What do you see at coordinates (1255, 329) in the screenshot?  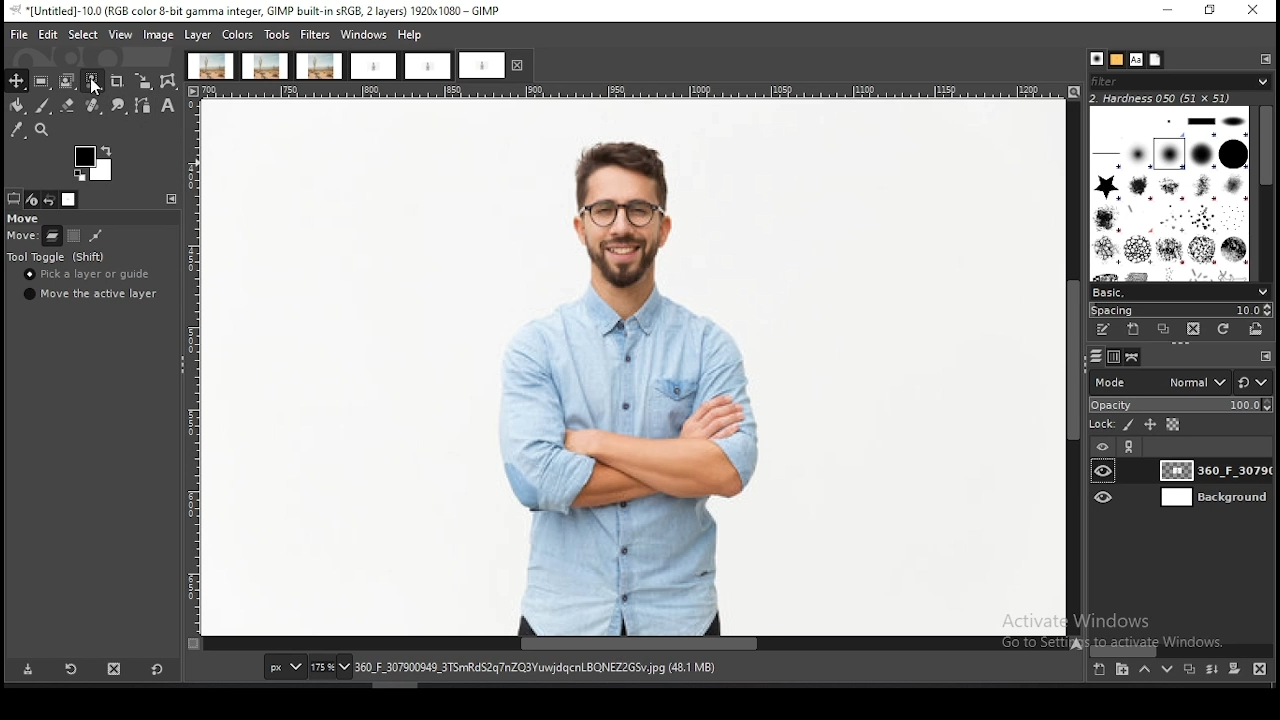 I see `open brush as image` at bounding box center [1255, 329].